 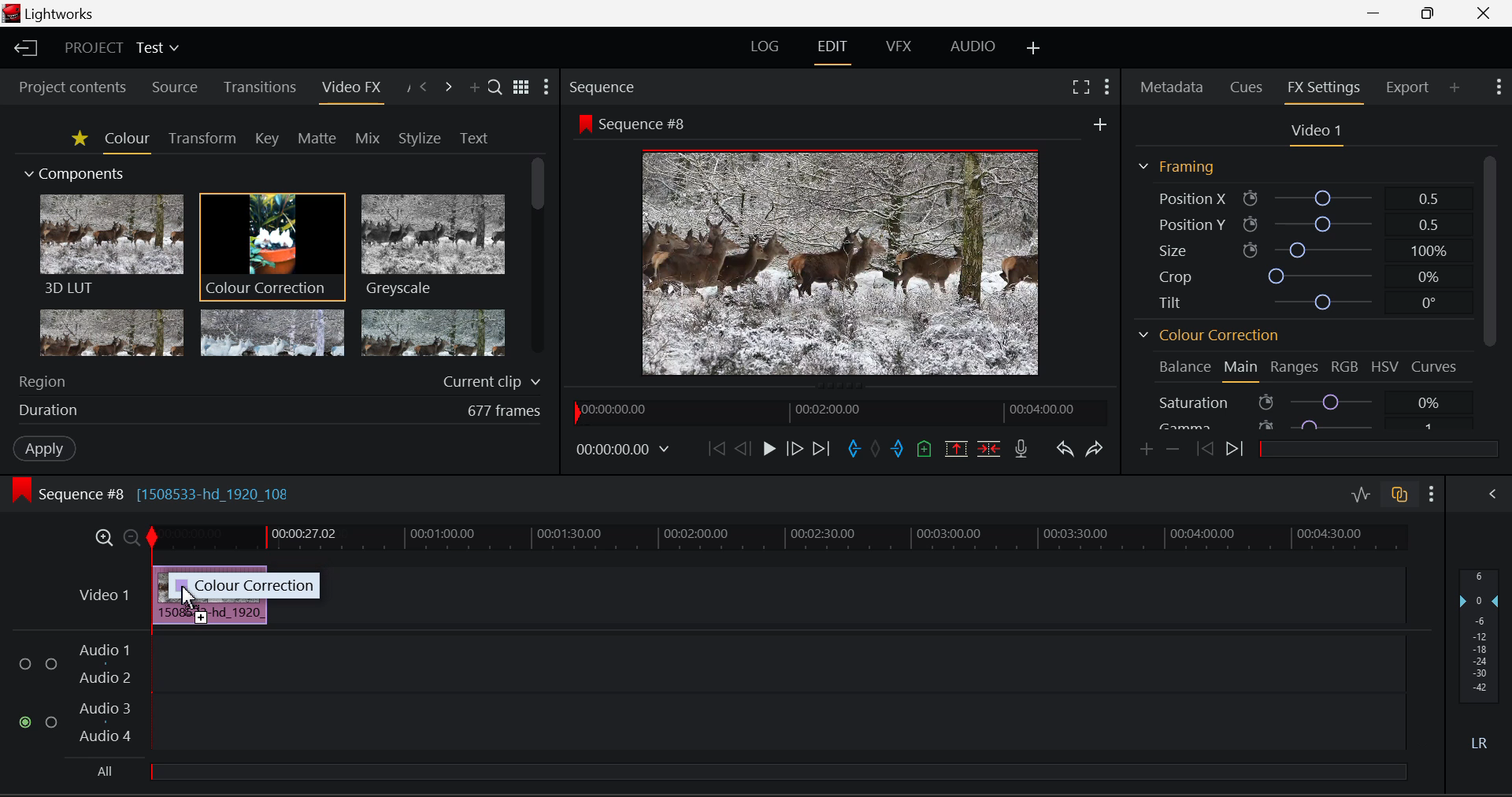 I want to click on Position X, so click(x=1299, y=198).